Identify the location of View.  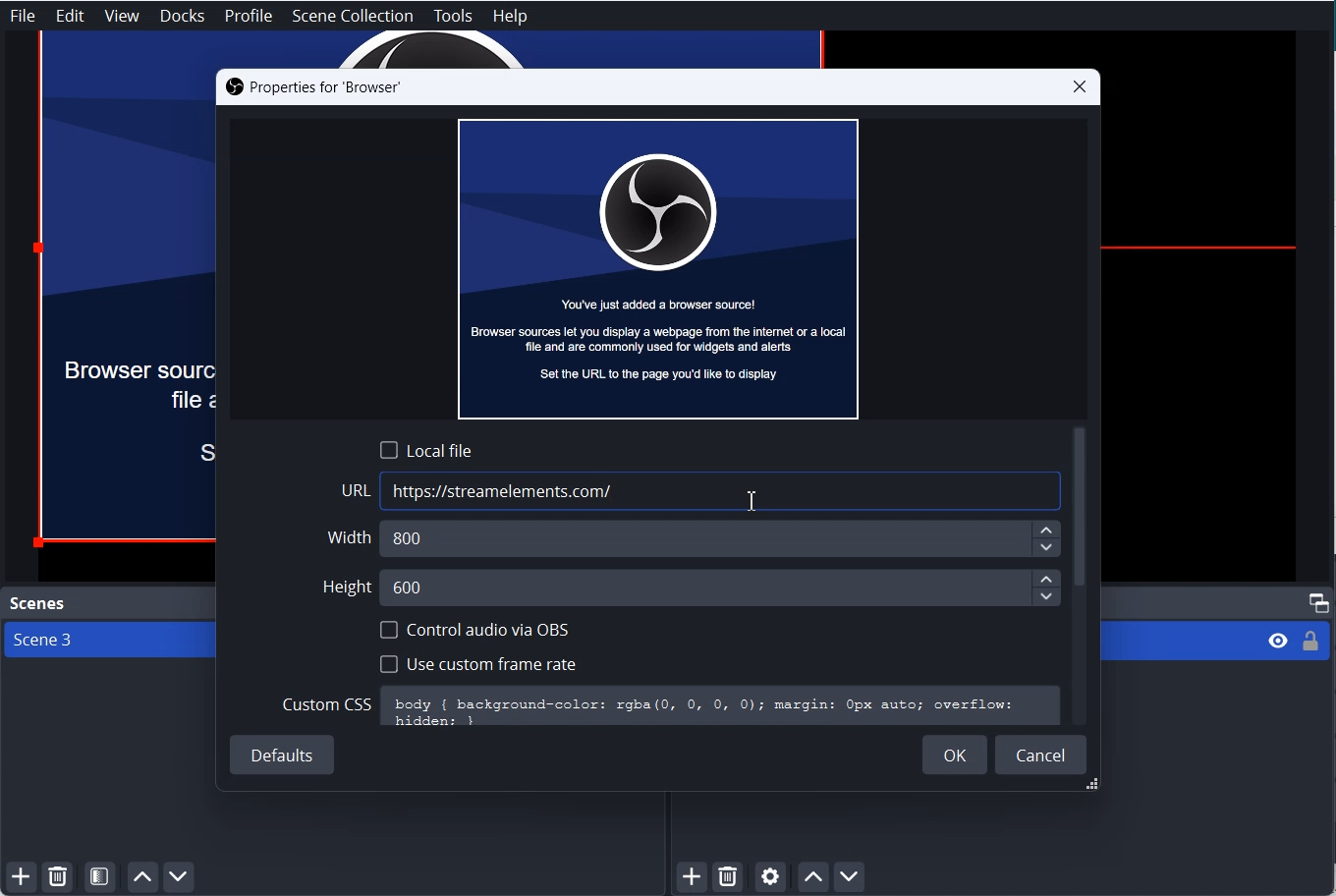
(122, 17).